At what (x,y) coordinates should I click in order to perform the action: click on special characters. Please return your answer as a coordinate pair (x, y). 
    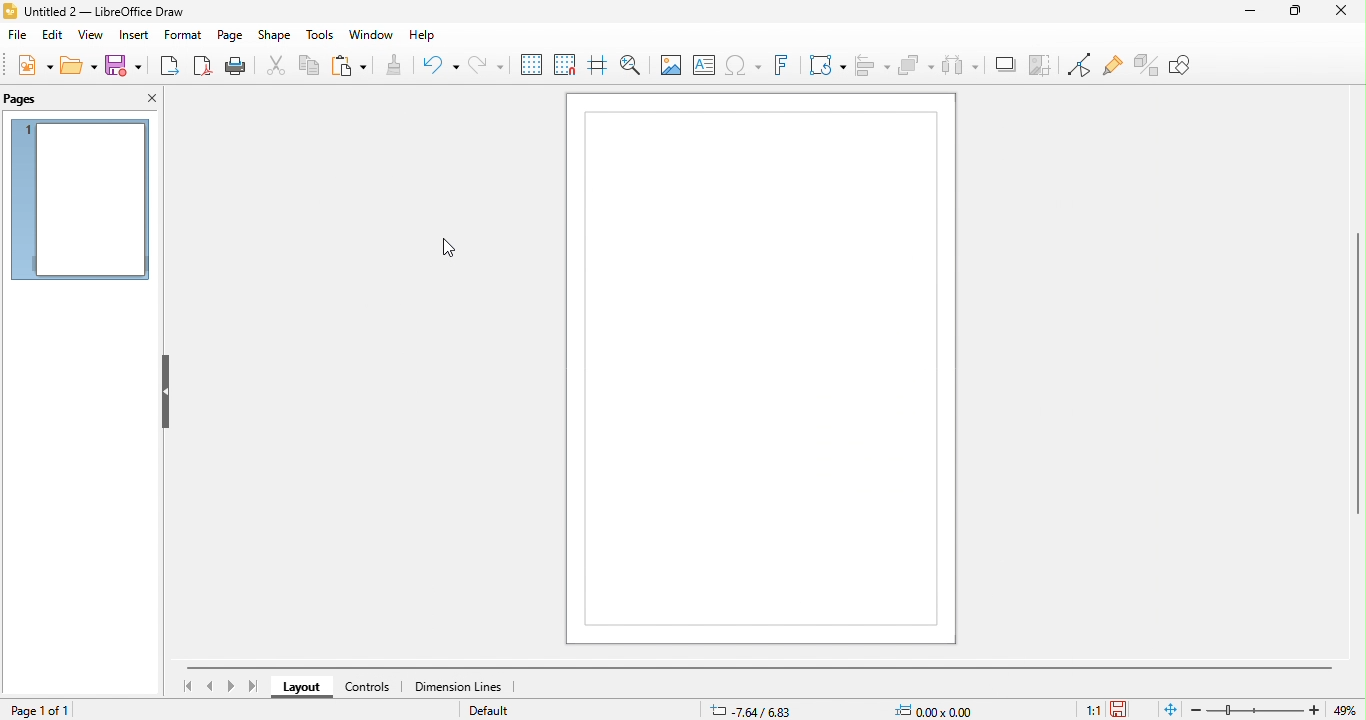
    Looking at the image, I should click on (742, 64).